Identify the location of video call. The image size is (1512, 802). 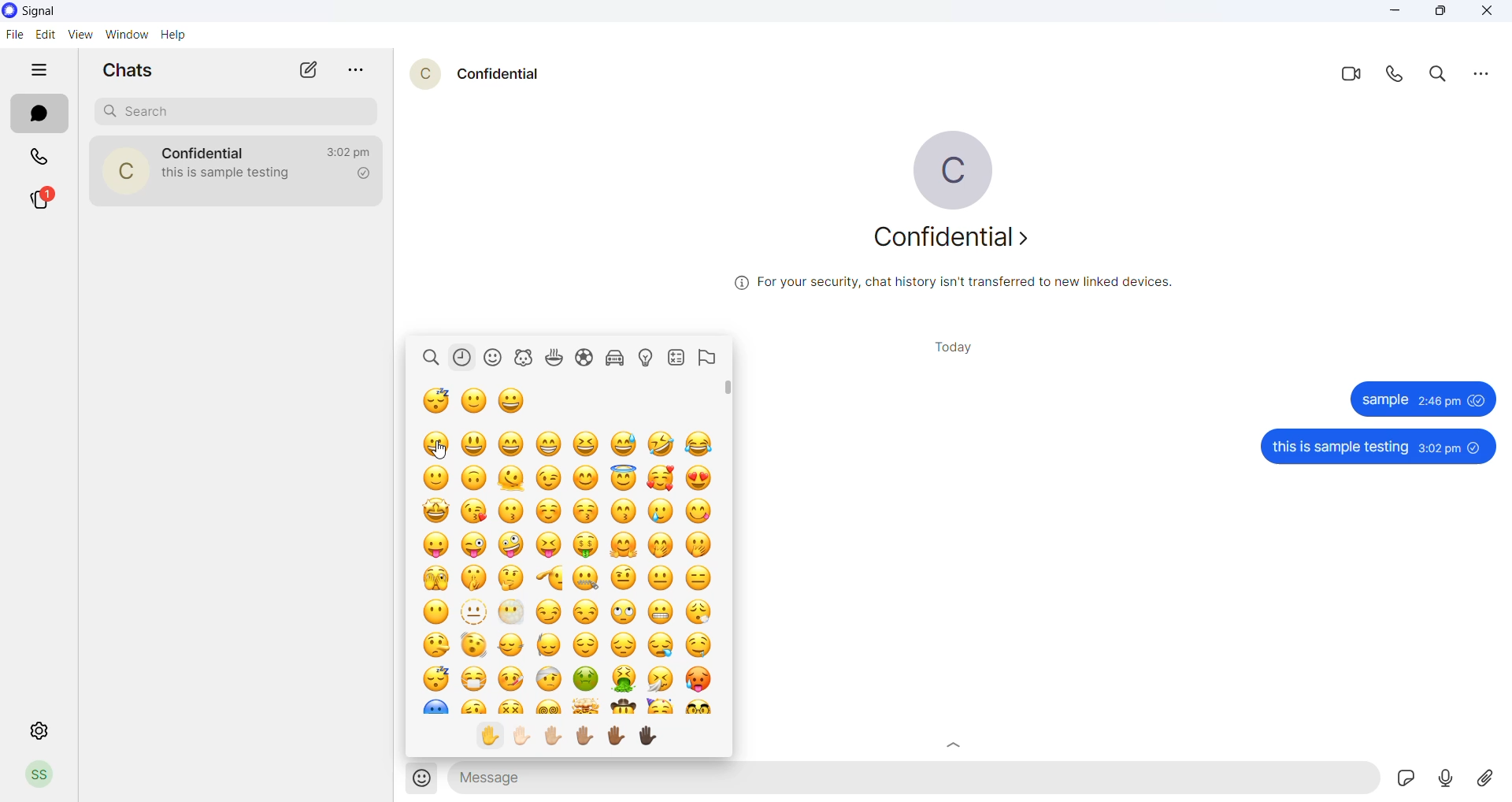
(1350, 76).